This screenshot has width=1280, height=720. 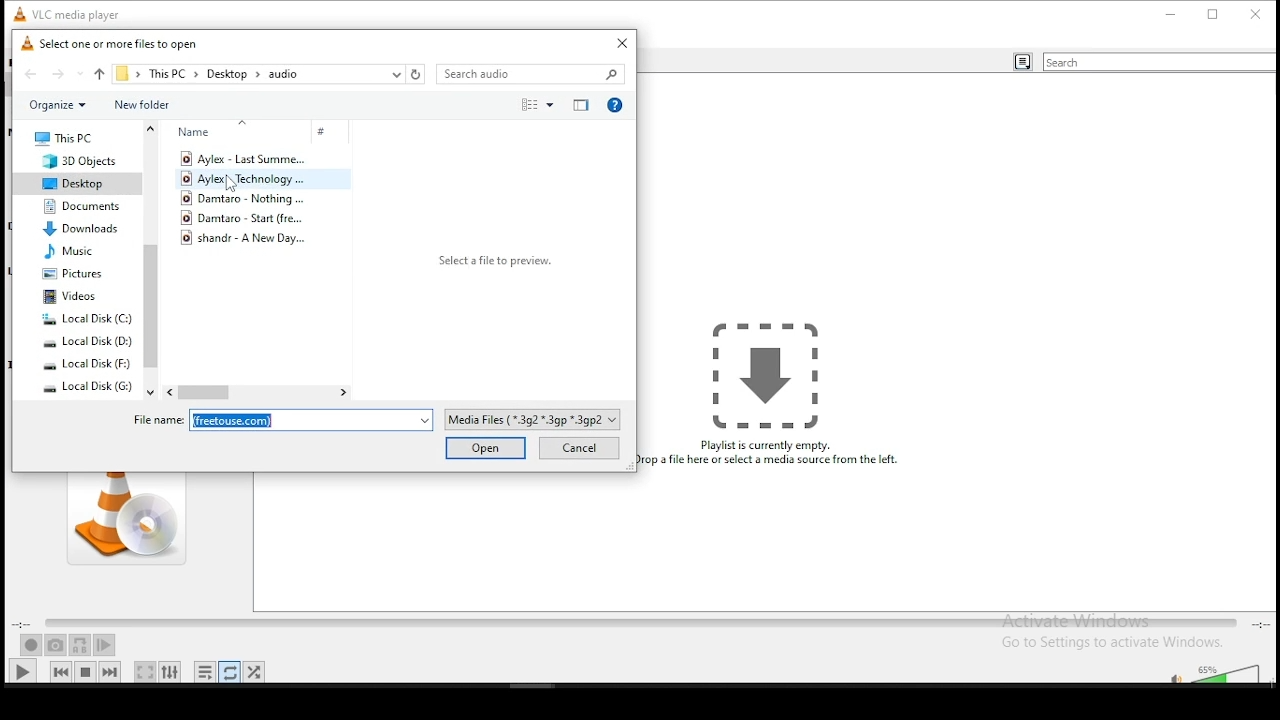 I want to click on album art, so click(x=126, y=519).